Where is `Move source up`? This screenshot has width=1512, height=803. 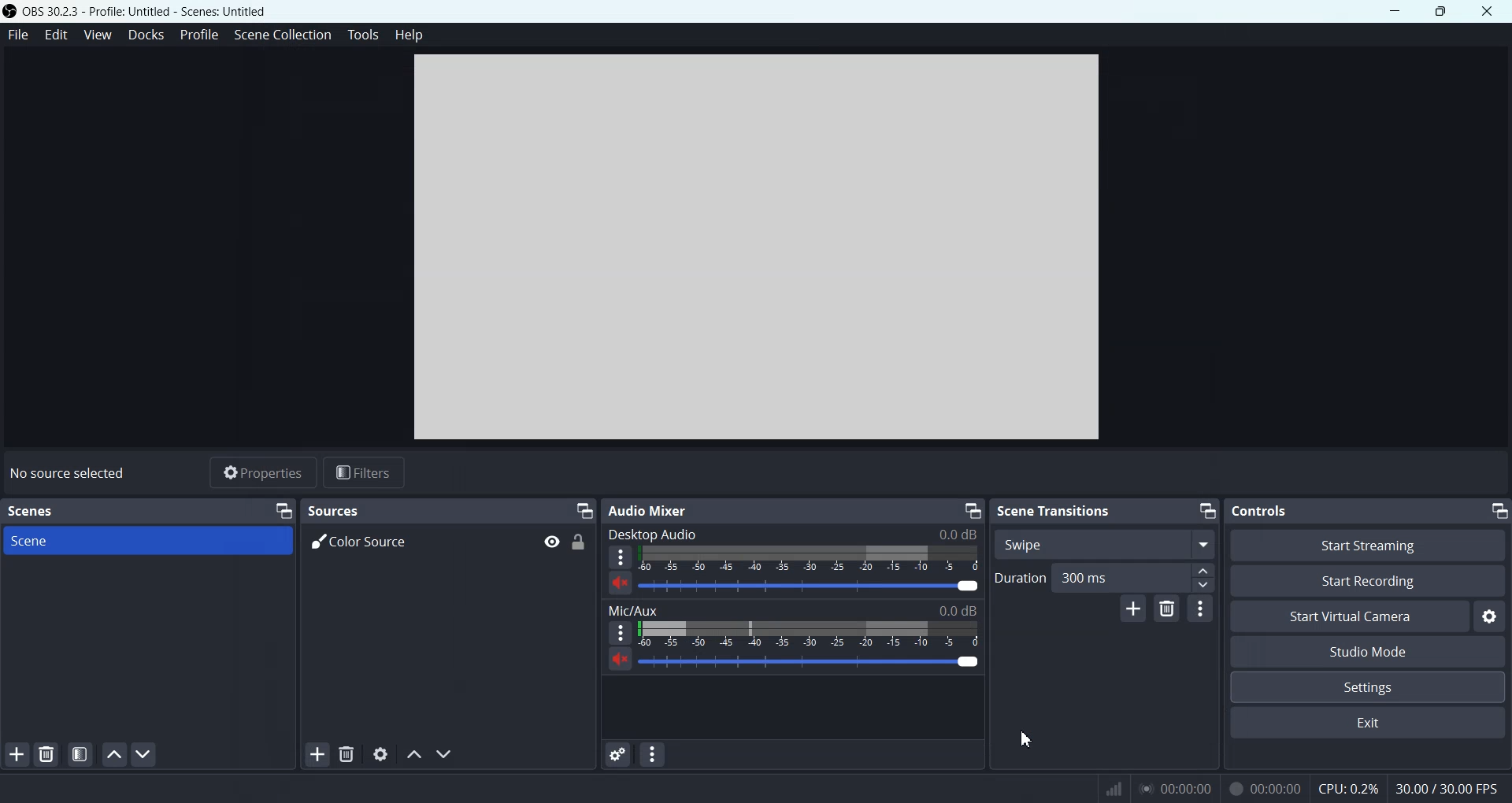 Move source up is located at coordinates (414, 755).